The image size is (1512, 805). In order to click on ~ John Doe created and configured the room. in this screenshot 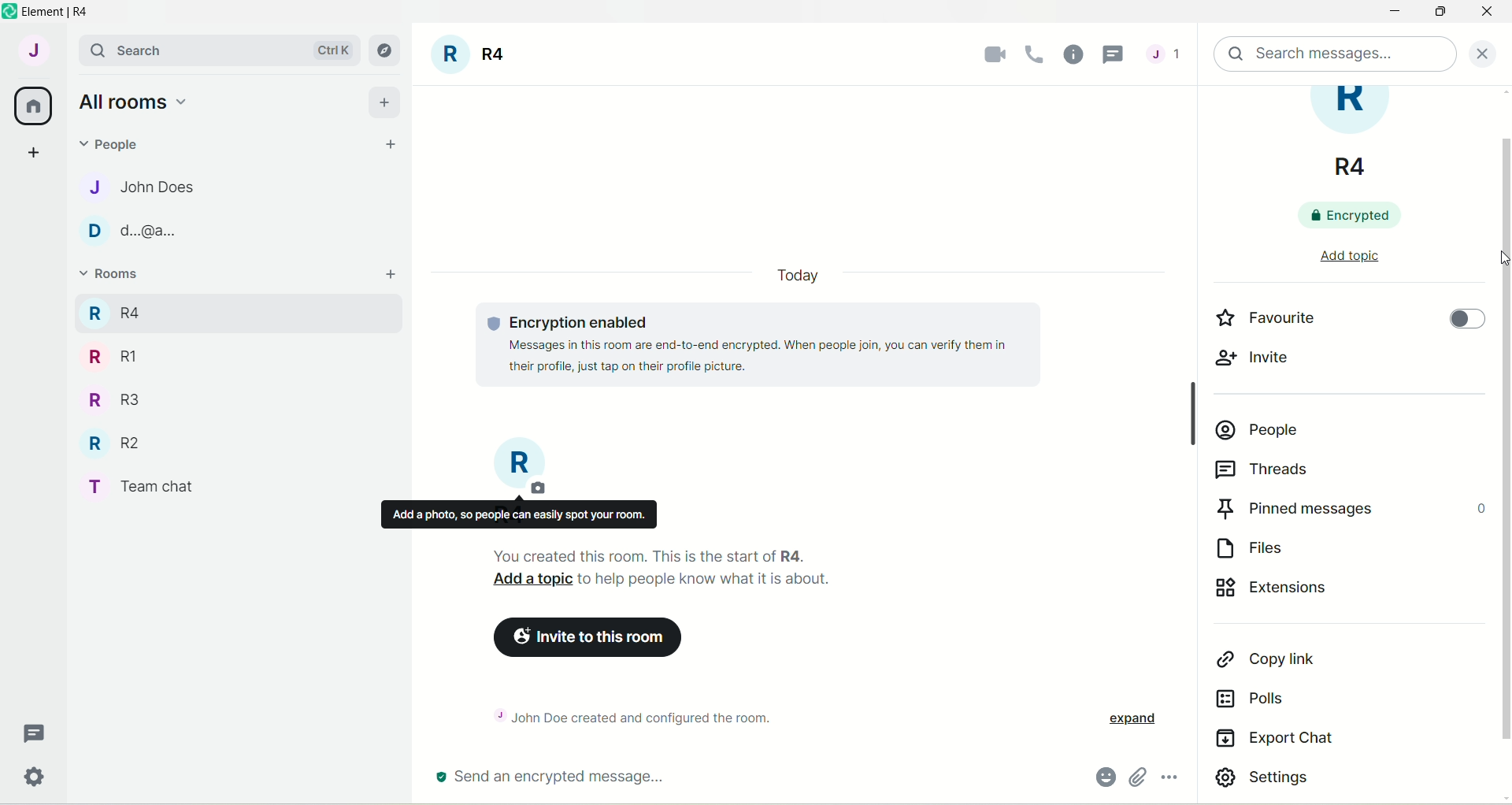, I will do `click(649, 715)`.